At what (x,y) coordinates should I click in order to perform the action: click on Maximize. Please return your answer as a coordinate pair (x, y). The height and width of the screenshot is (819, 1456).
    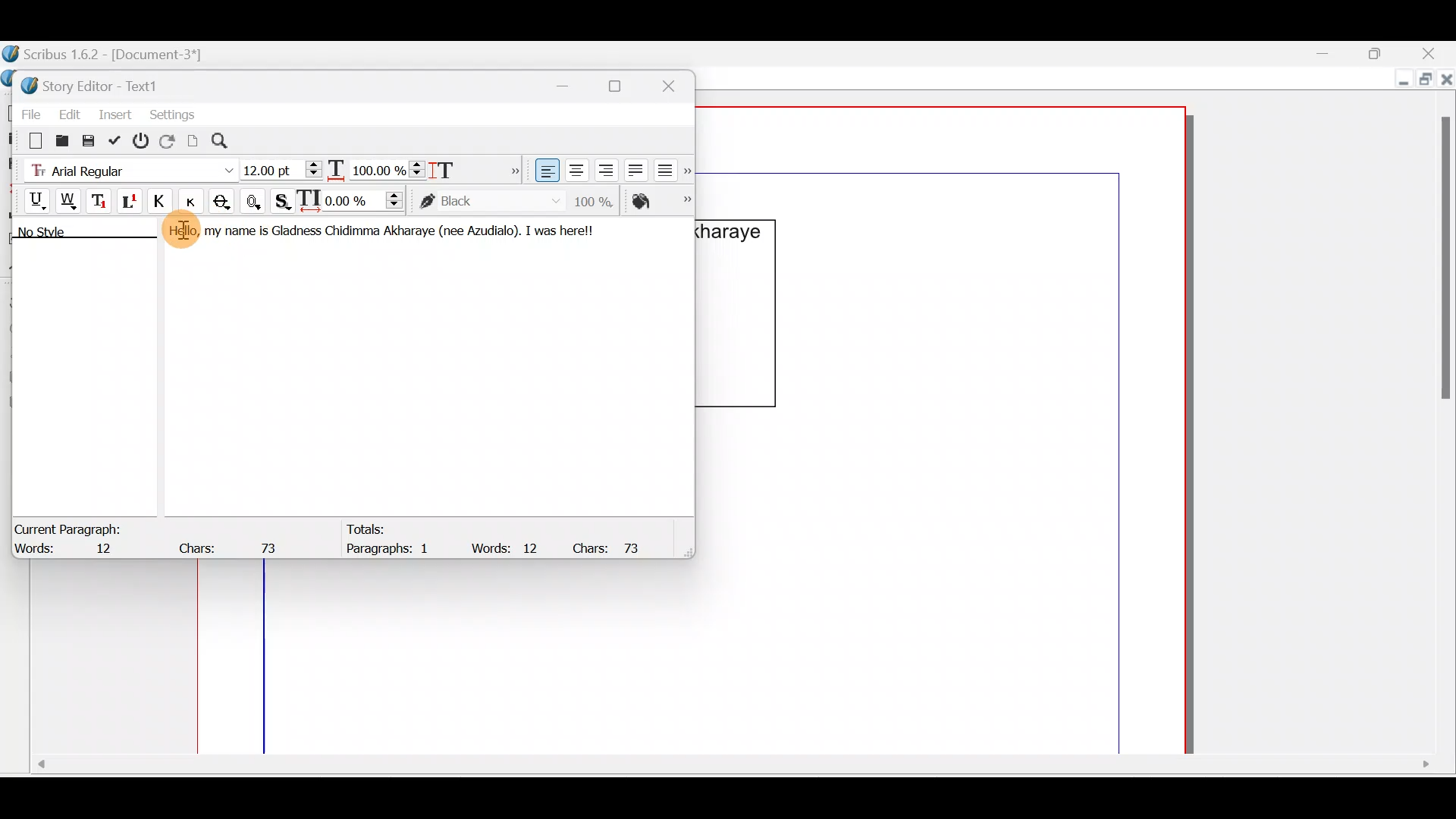
    Looking at the image, I should click on (1384, 52).